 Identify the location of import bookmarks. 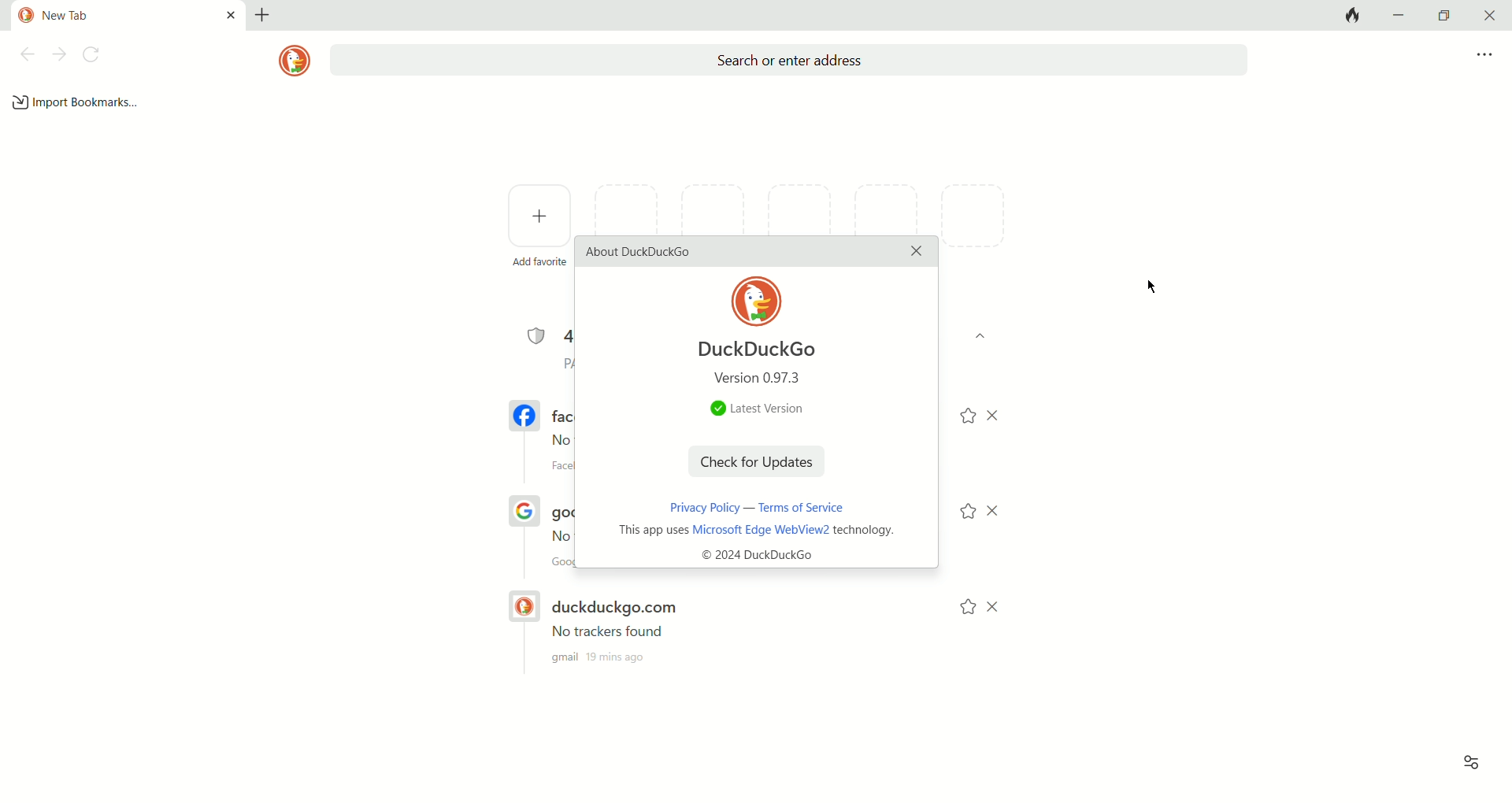
(76, 102).